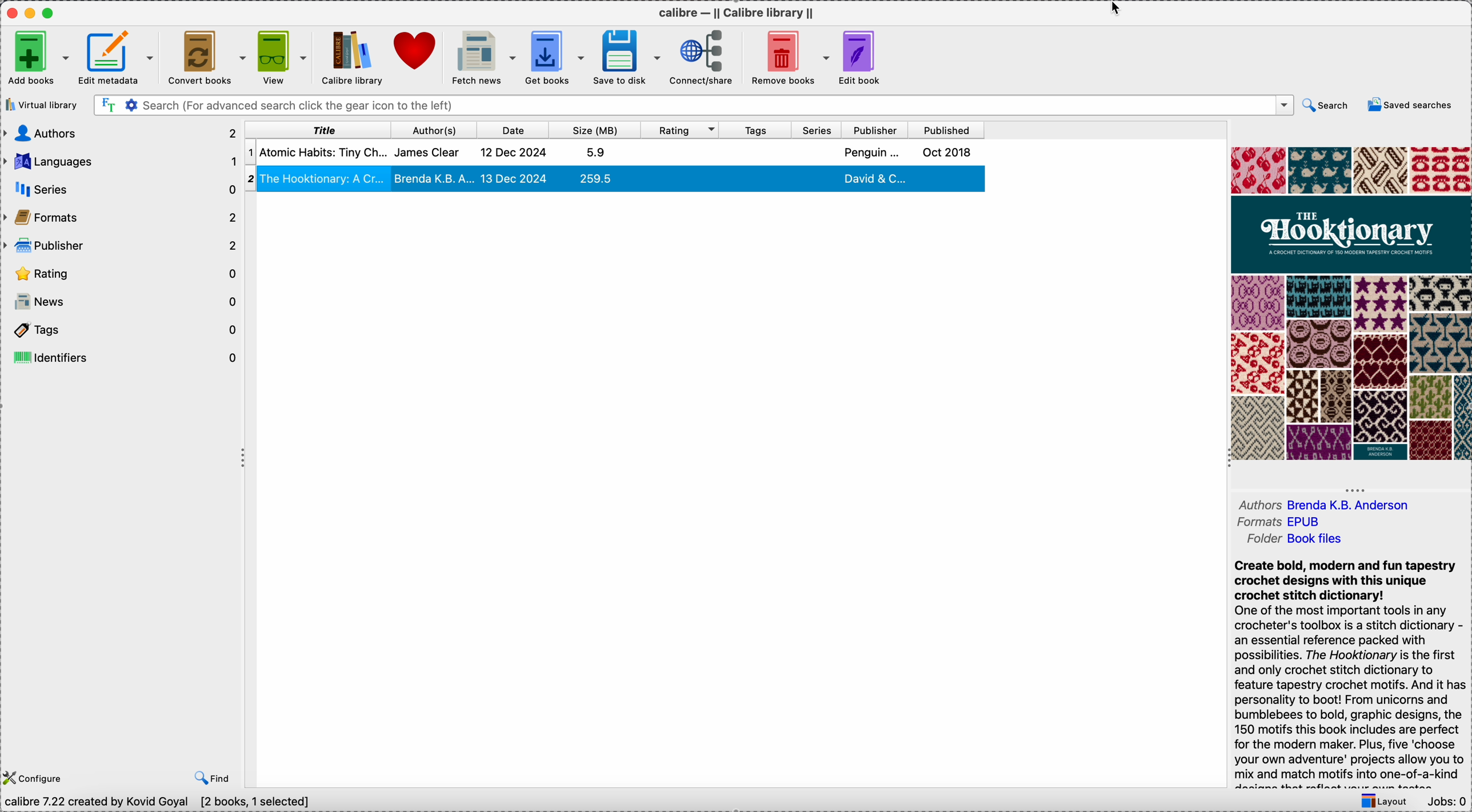 This screenshot has height=812, width=1472. Describe the element at coordinates (756, 130) in the screenshot. I see `tags` at that location.